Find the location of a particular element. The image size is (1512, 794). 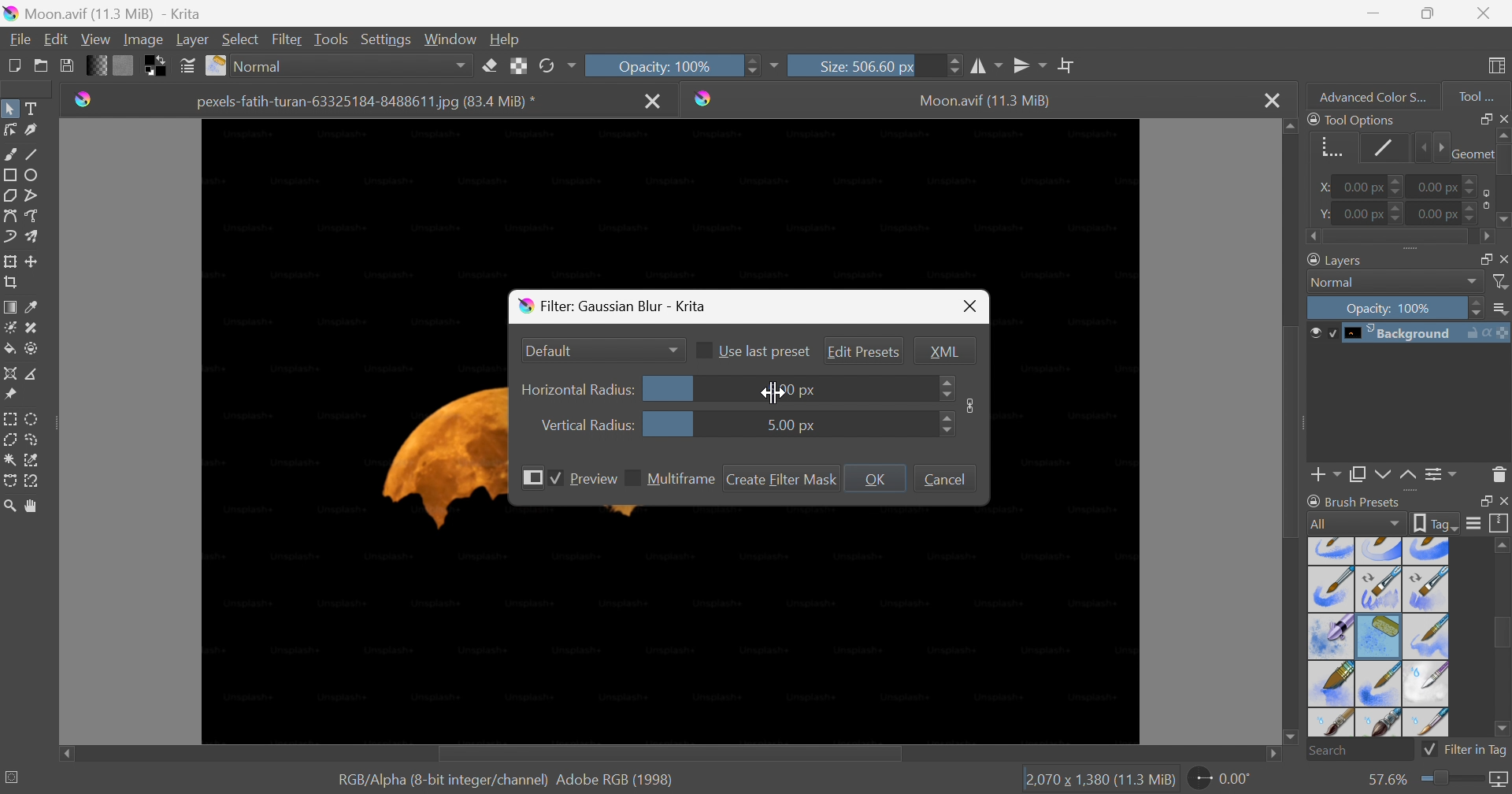

Swap foreground and background colors is located at coordinates (158, 66).